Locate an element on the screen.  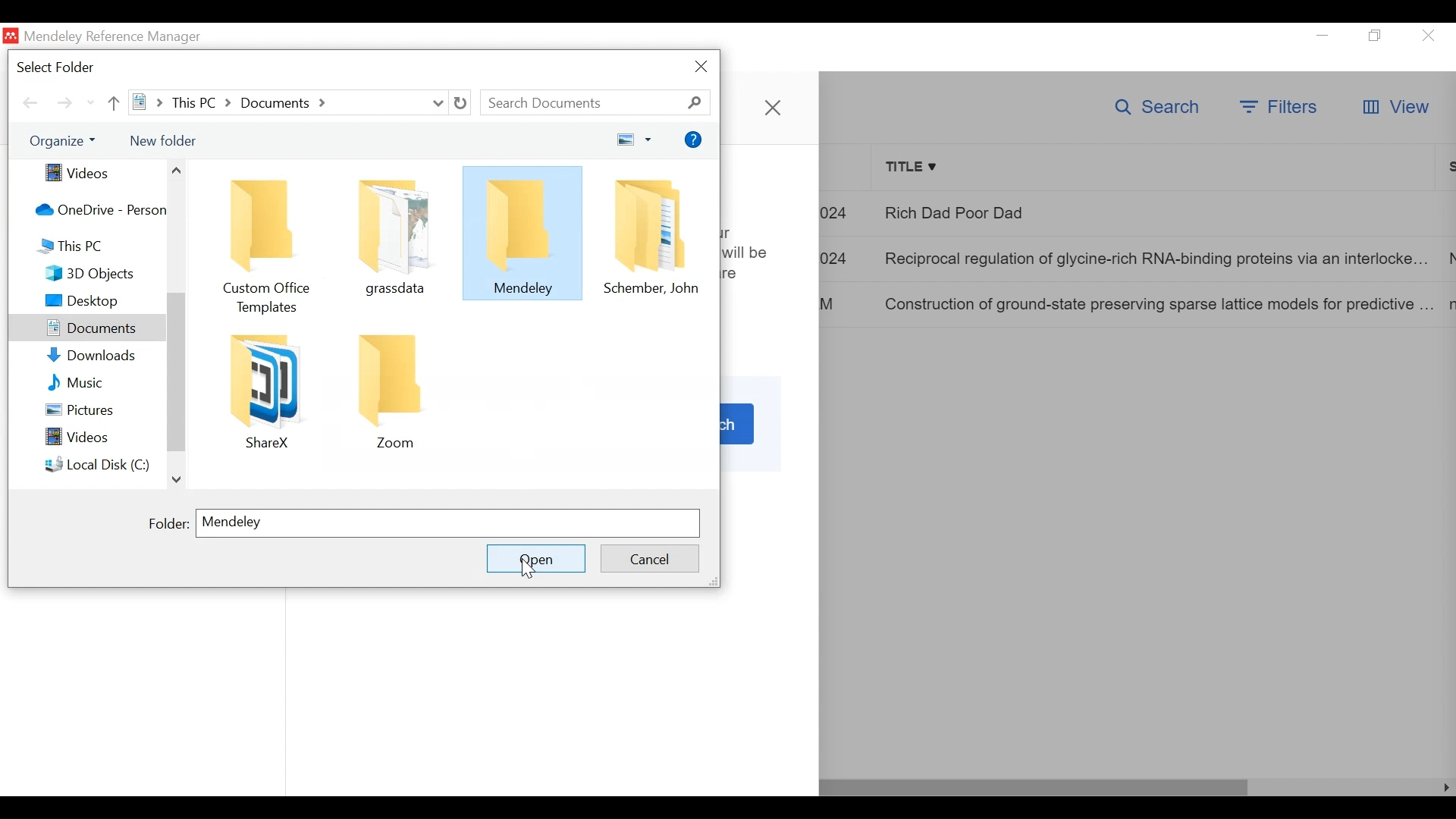
Folder is located at coordinates (524, 232).